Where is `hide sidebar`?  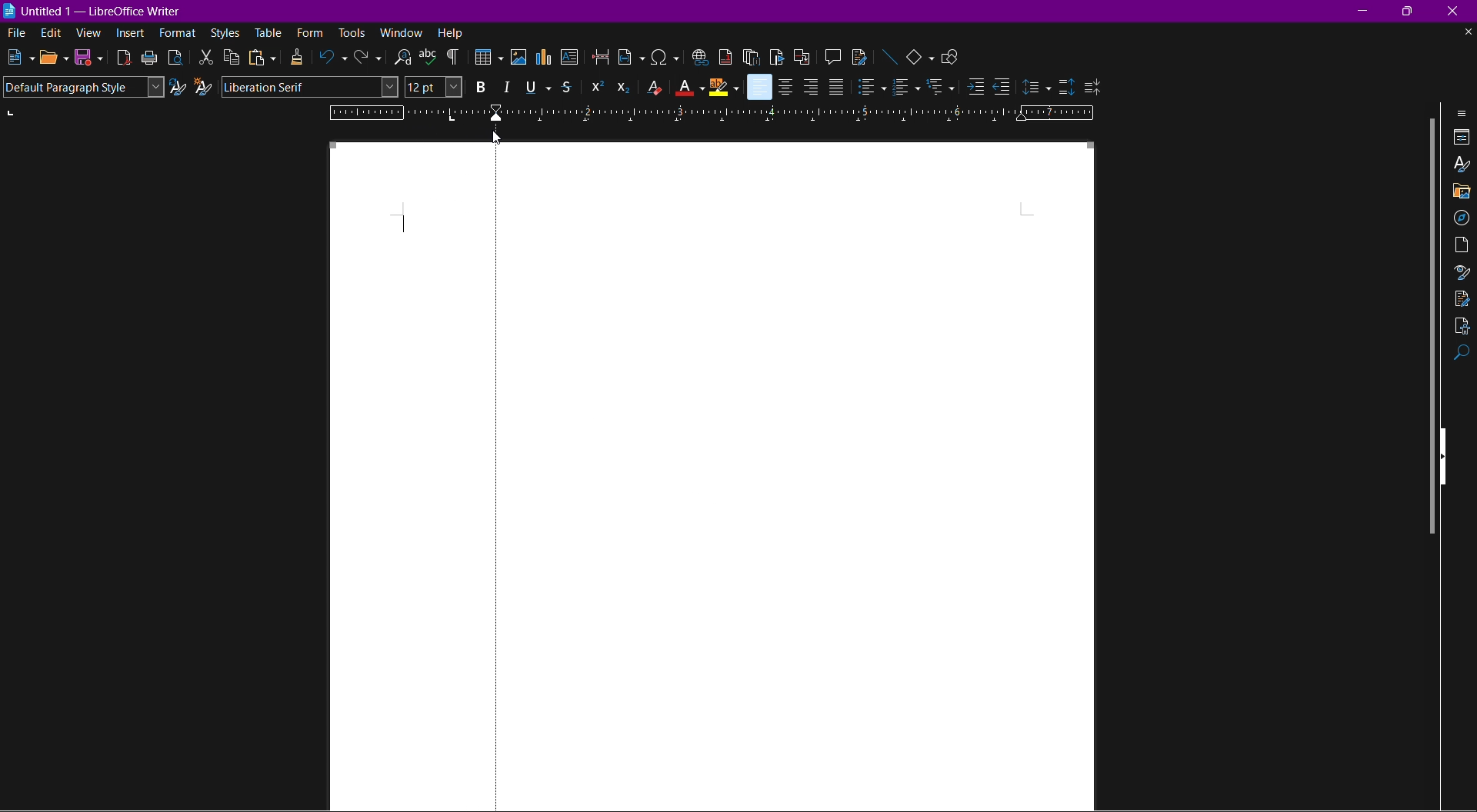 hide sidebar is located at coordinates (1448, 454).